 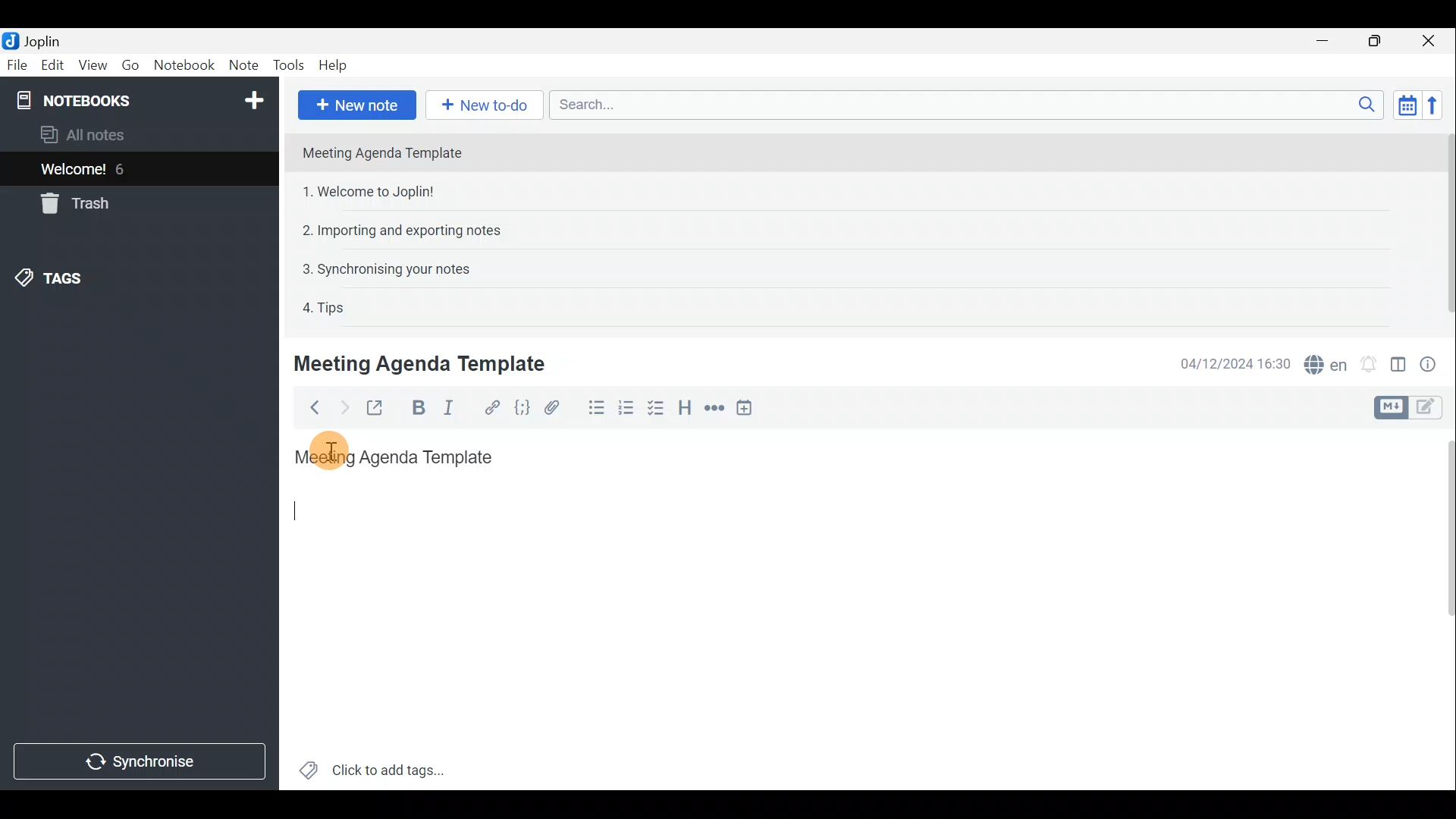 I want to click on Minimise, so click(x=1325, y=40).